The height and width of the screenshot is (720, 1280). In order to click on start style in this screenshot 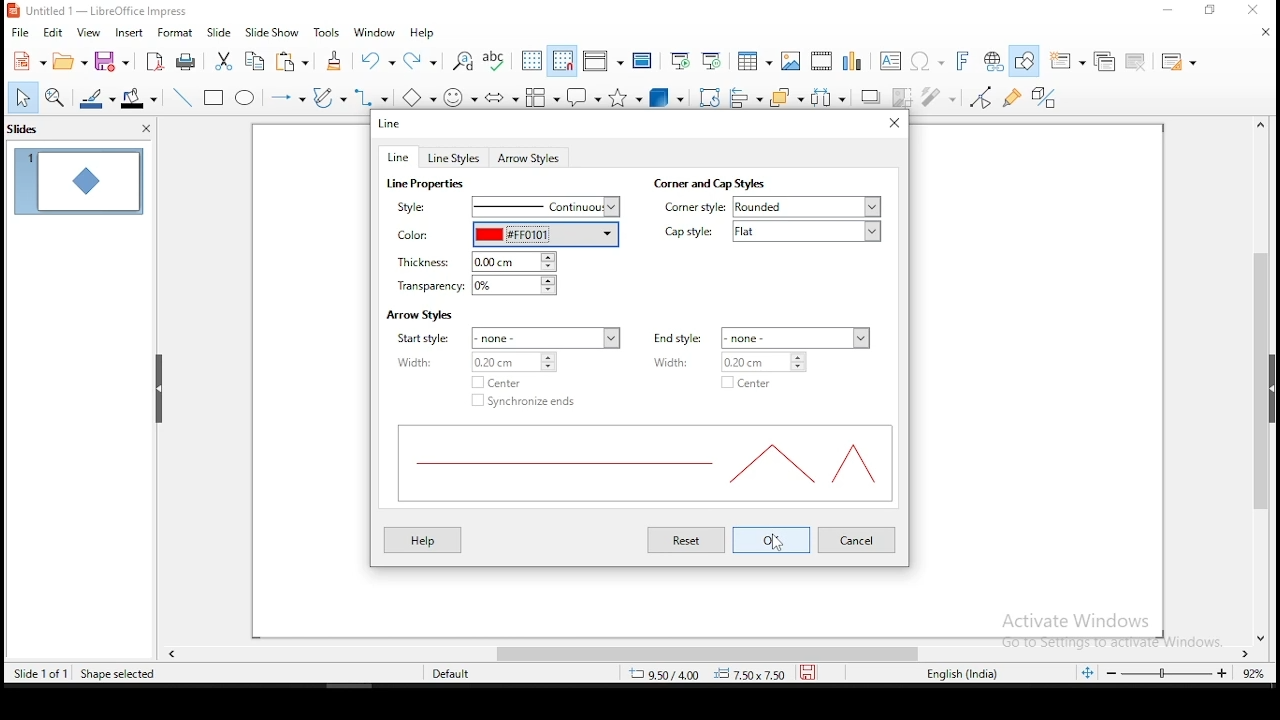, I will do `click(429, 337)`.